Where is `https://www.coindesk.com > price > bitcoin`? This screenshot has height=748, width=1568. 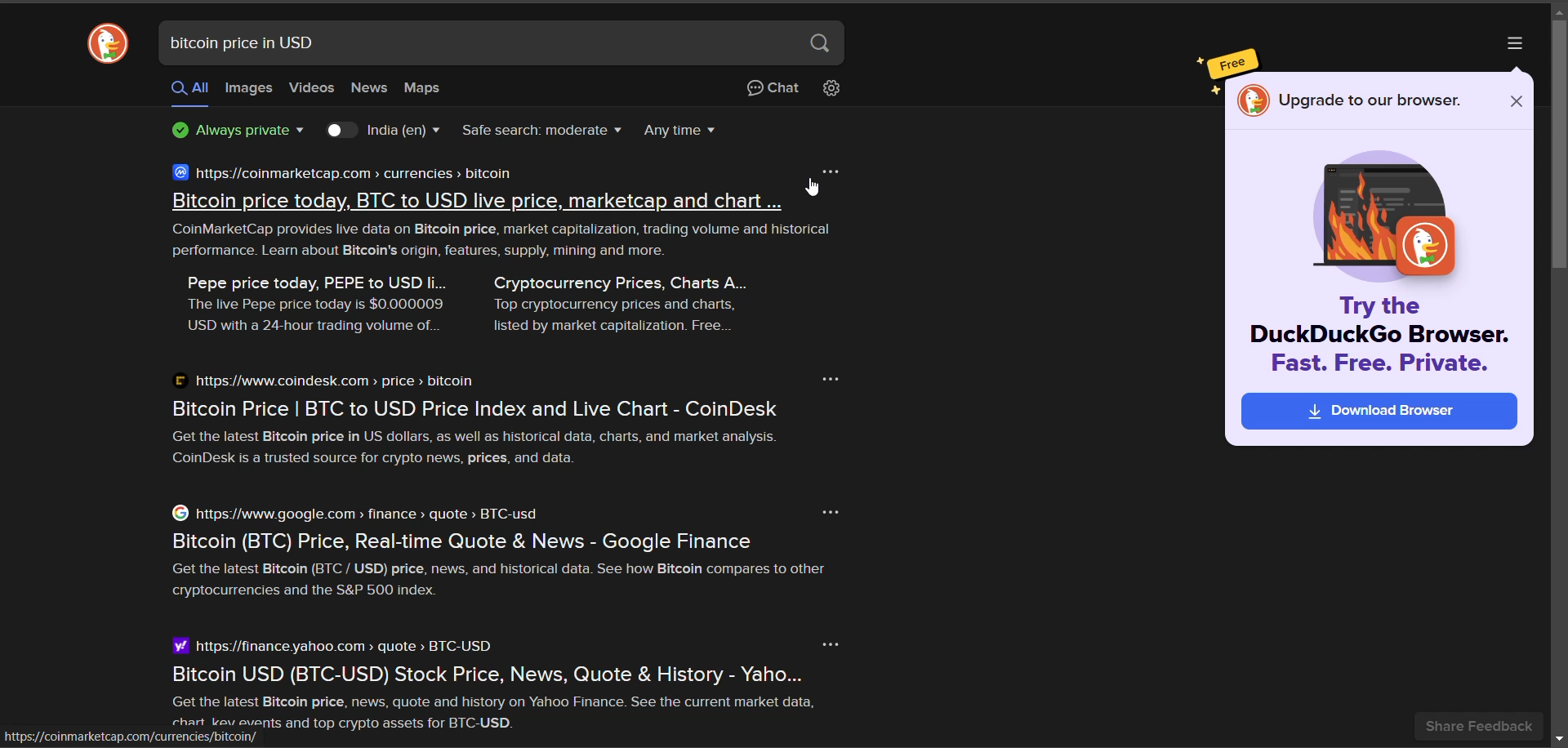
https://www.coindesk.com > price > bitcoin is located at coordinates (323, 379).